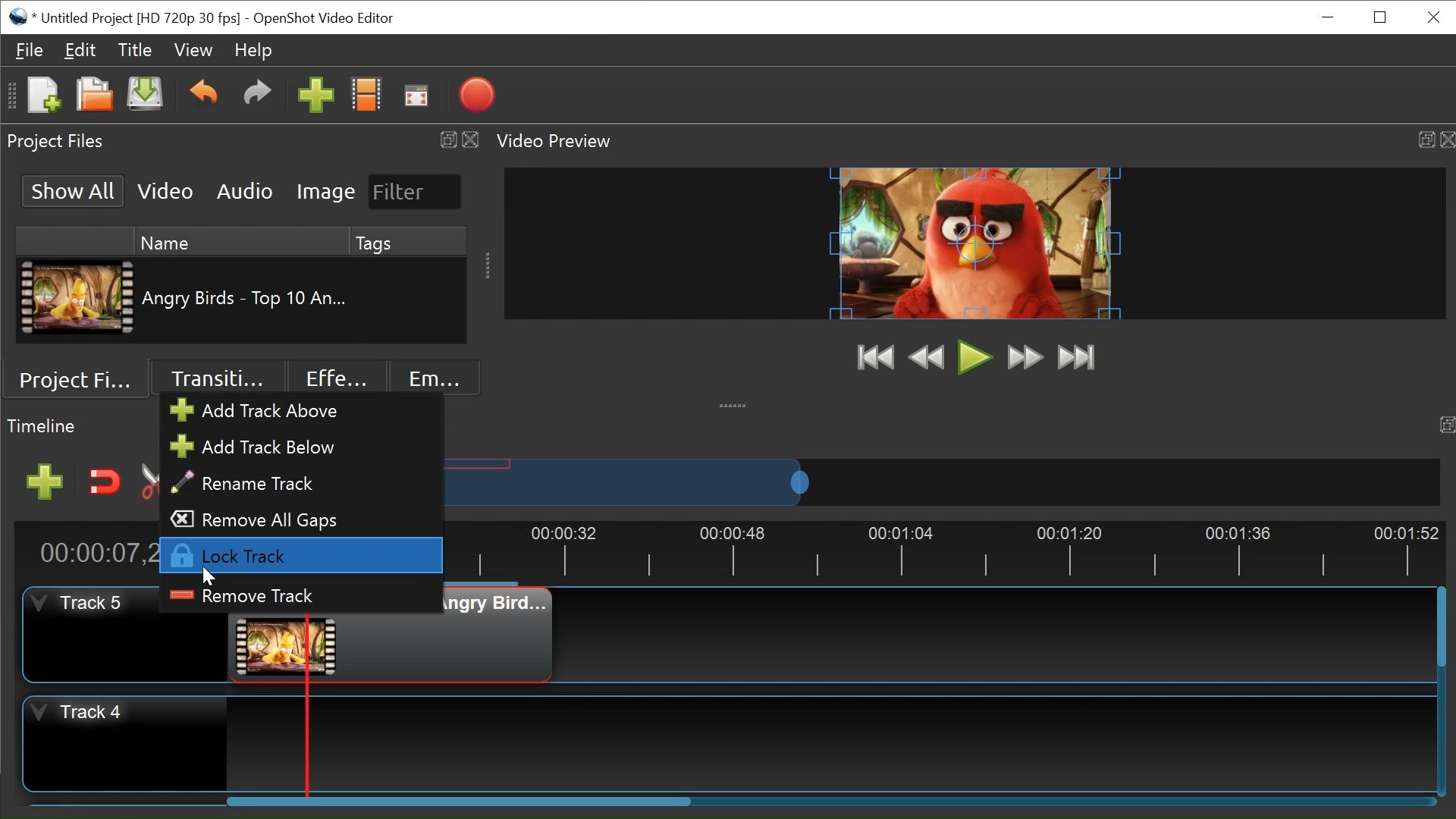  I want to click on Show All, so click(75, 190).